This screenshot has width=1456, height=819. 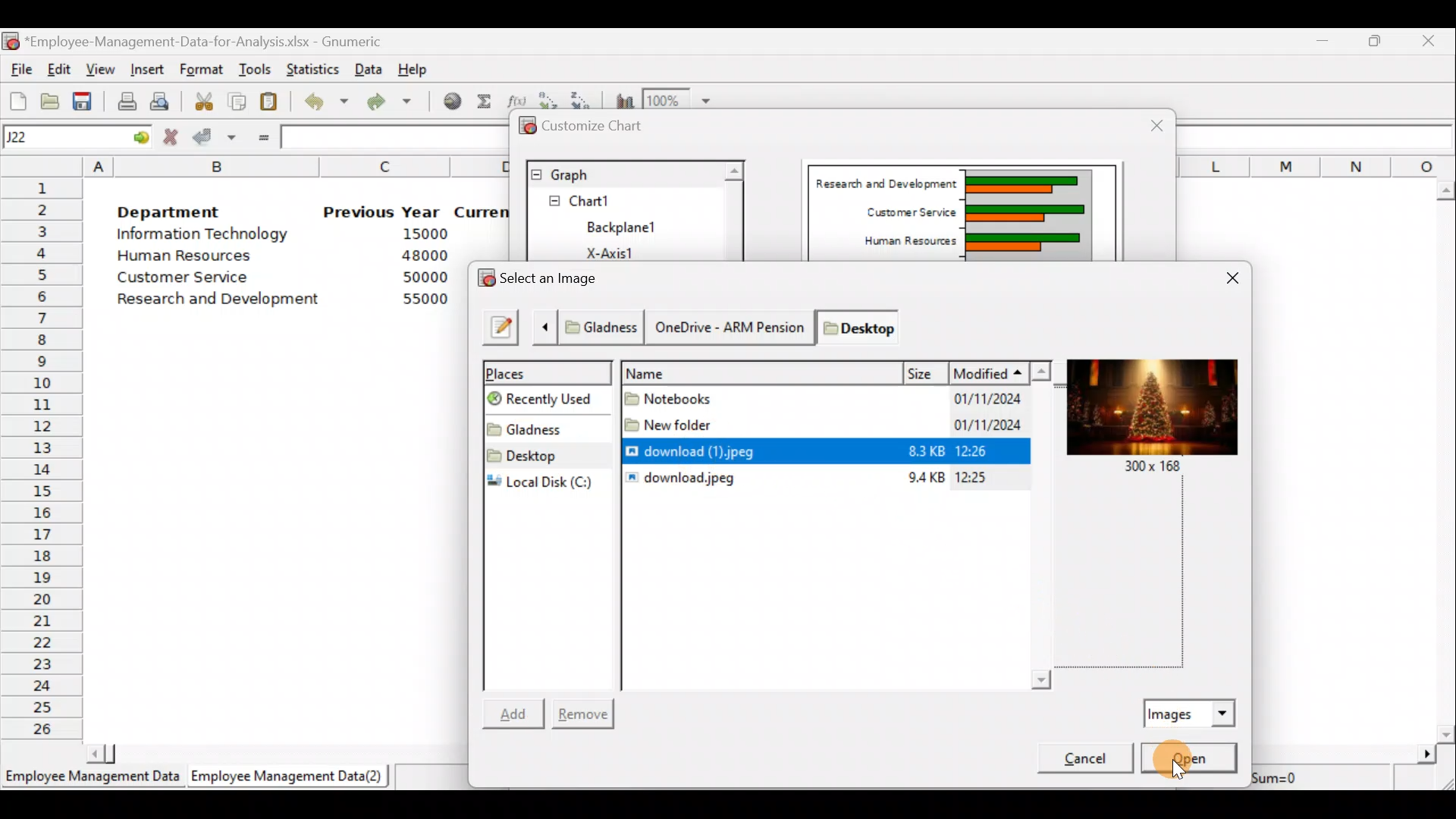 What do you see at coordinates (549, 98) in the screenshot?
I see `Sort in Ascending order` at bounding box center [549, 98].